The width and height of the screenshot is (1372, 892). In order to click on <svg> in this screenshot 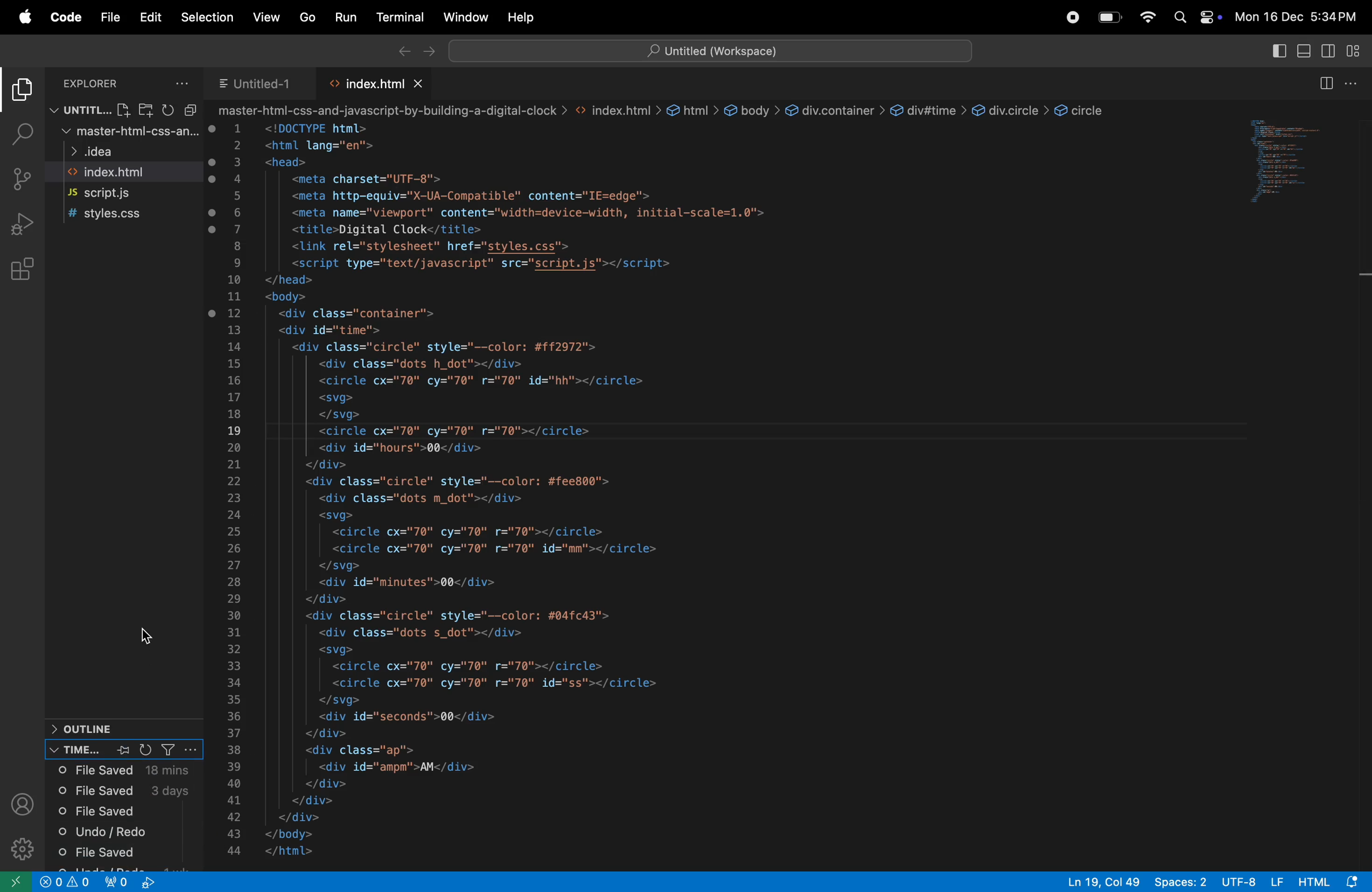, I will do `click(336, 649)`.